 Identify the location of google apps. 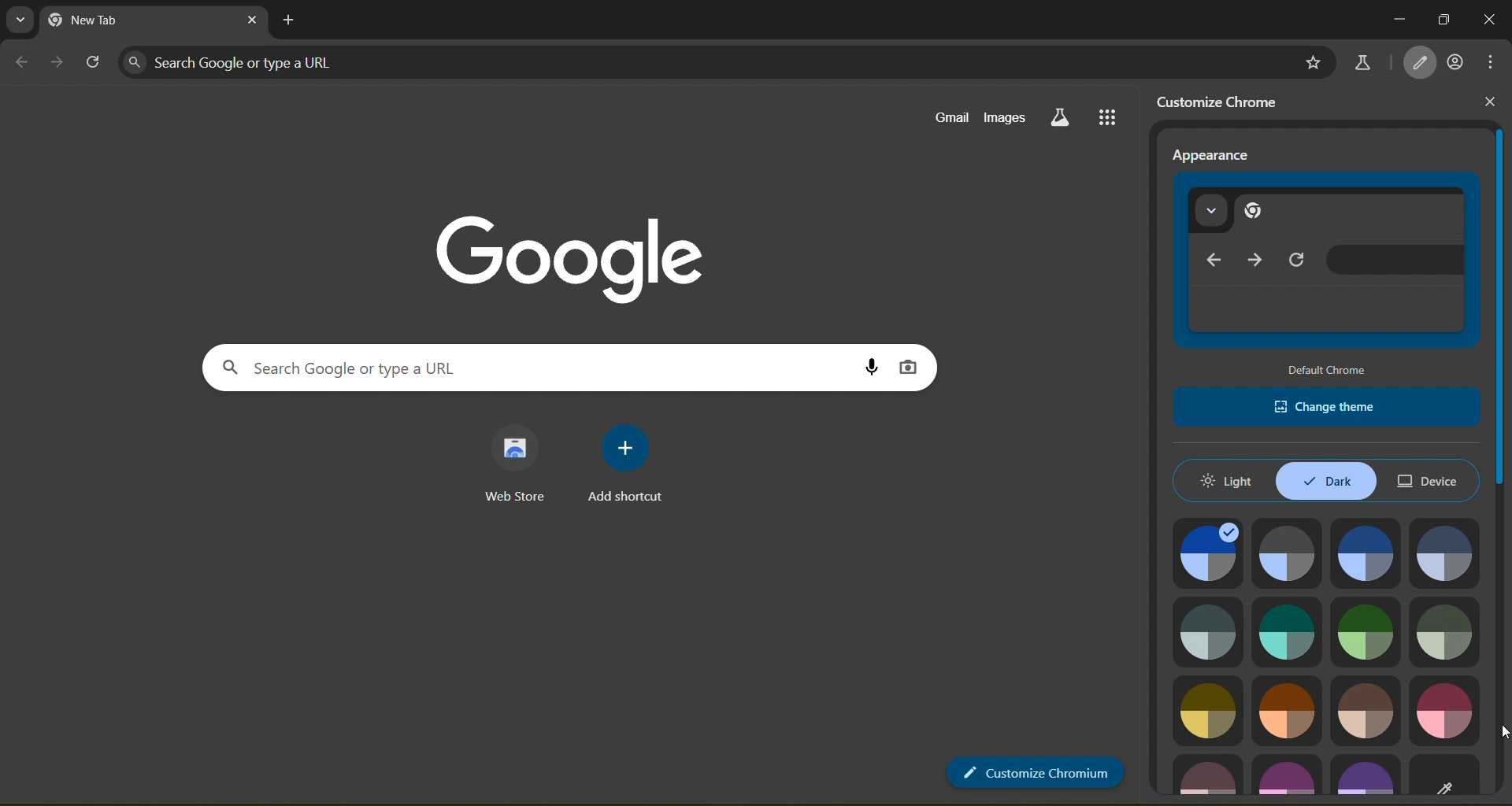
(1114, 117).